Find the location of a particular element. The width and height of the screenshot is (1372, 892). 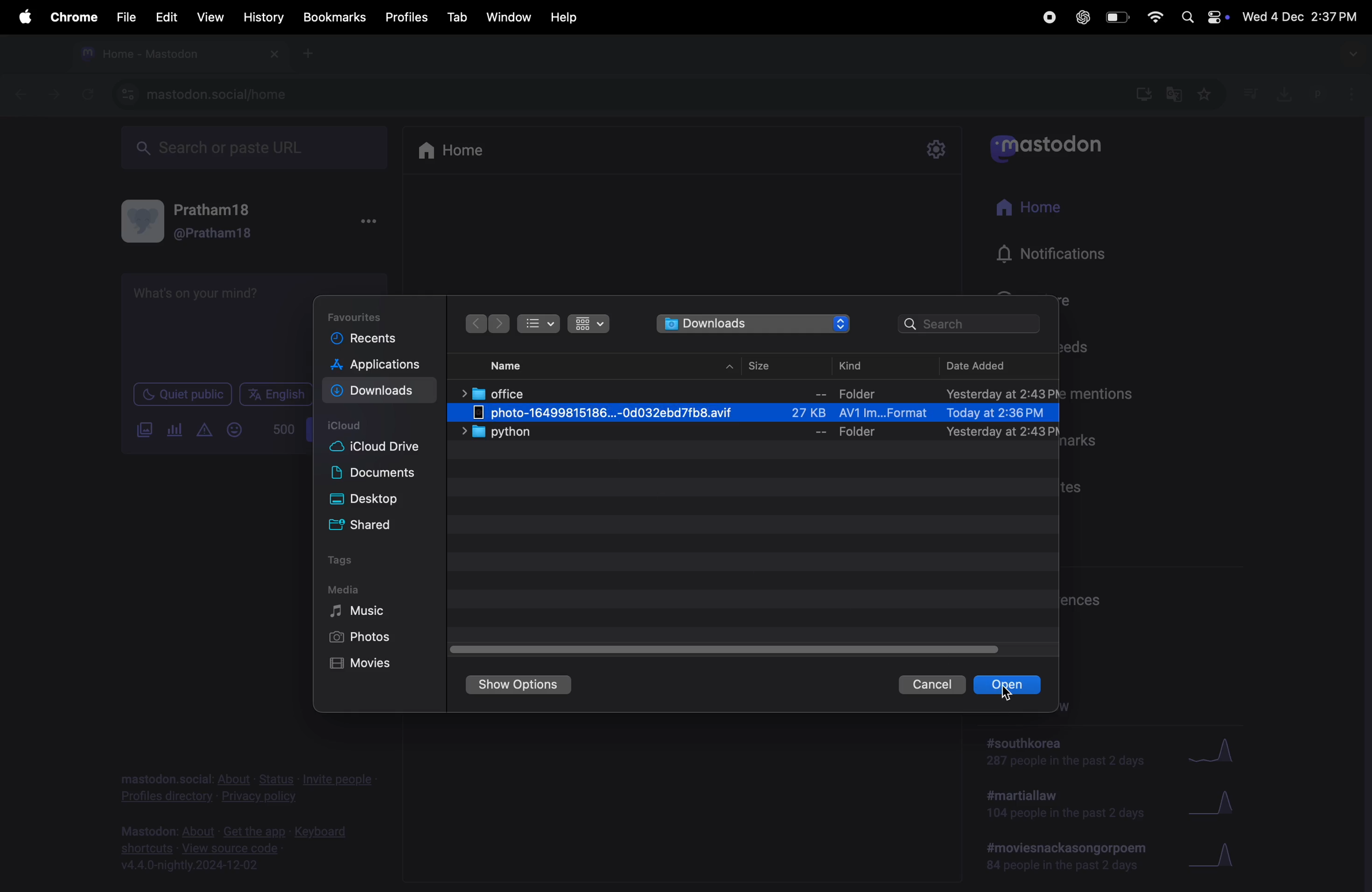

mastodon is located at coordinates (1046, 144).